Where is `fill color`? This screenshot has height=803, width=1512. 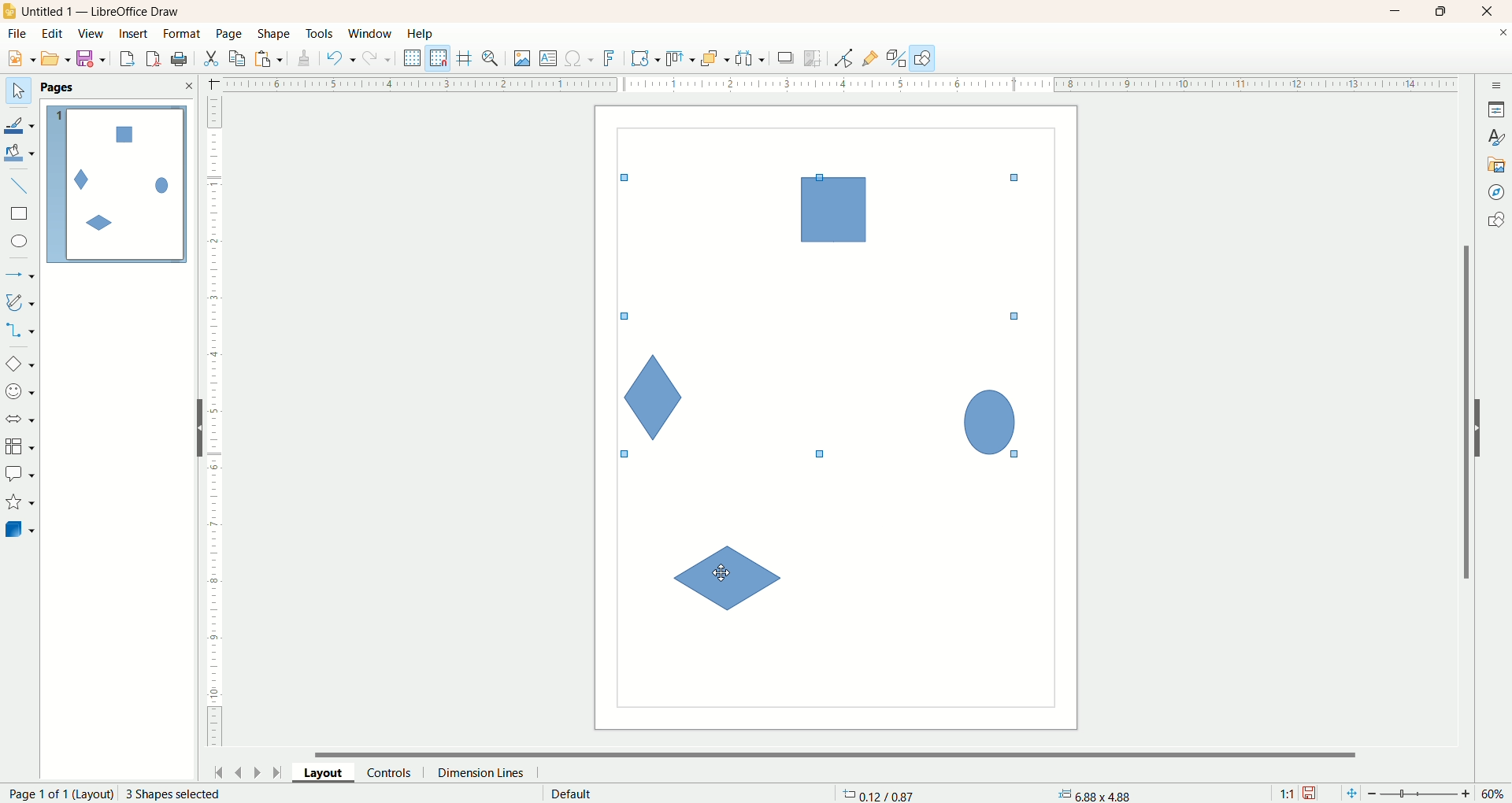
fill color is located at coordinates (21, 154).